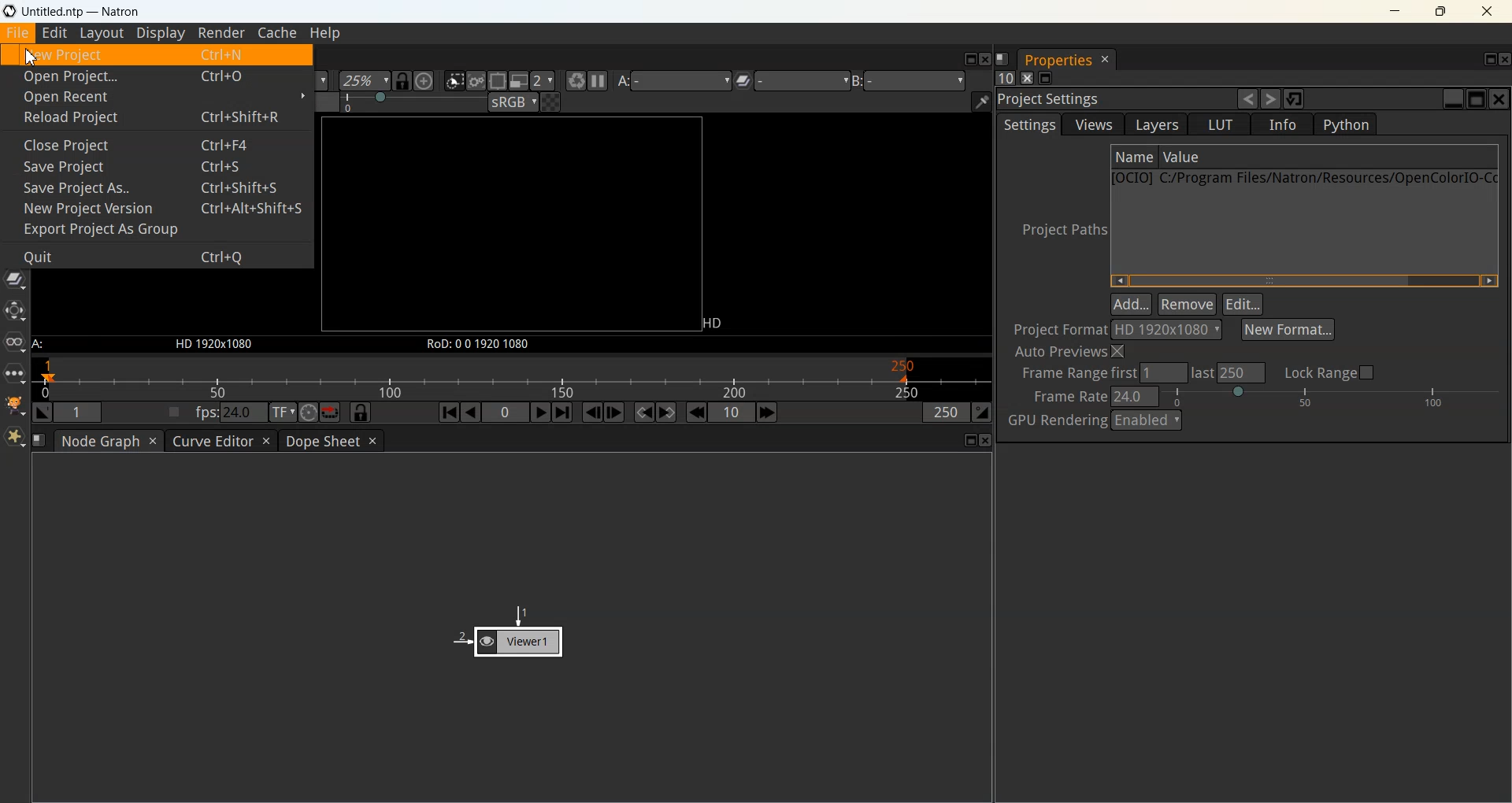  Describe the element at coordinates (552, 102) in the screenshot. I see `Checkboard` at that location.